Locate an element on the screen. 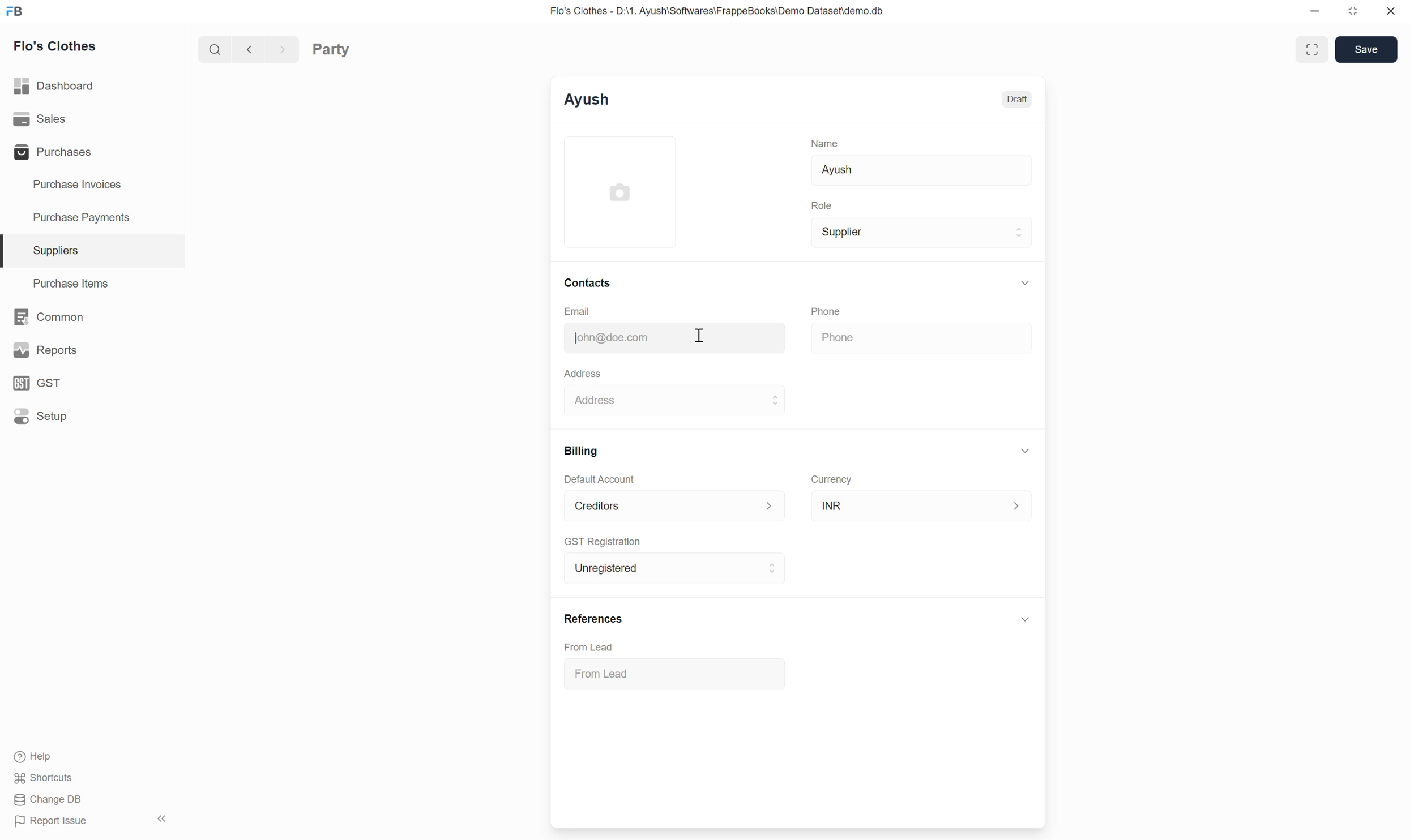 The width and height of the screenshot is (1410, 840). Unregistered is located at coordinates (675, 568).